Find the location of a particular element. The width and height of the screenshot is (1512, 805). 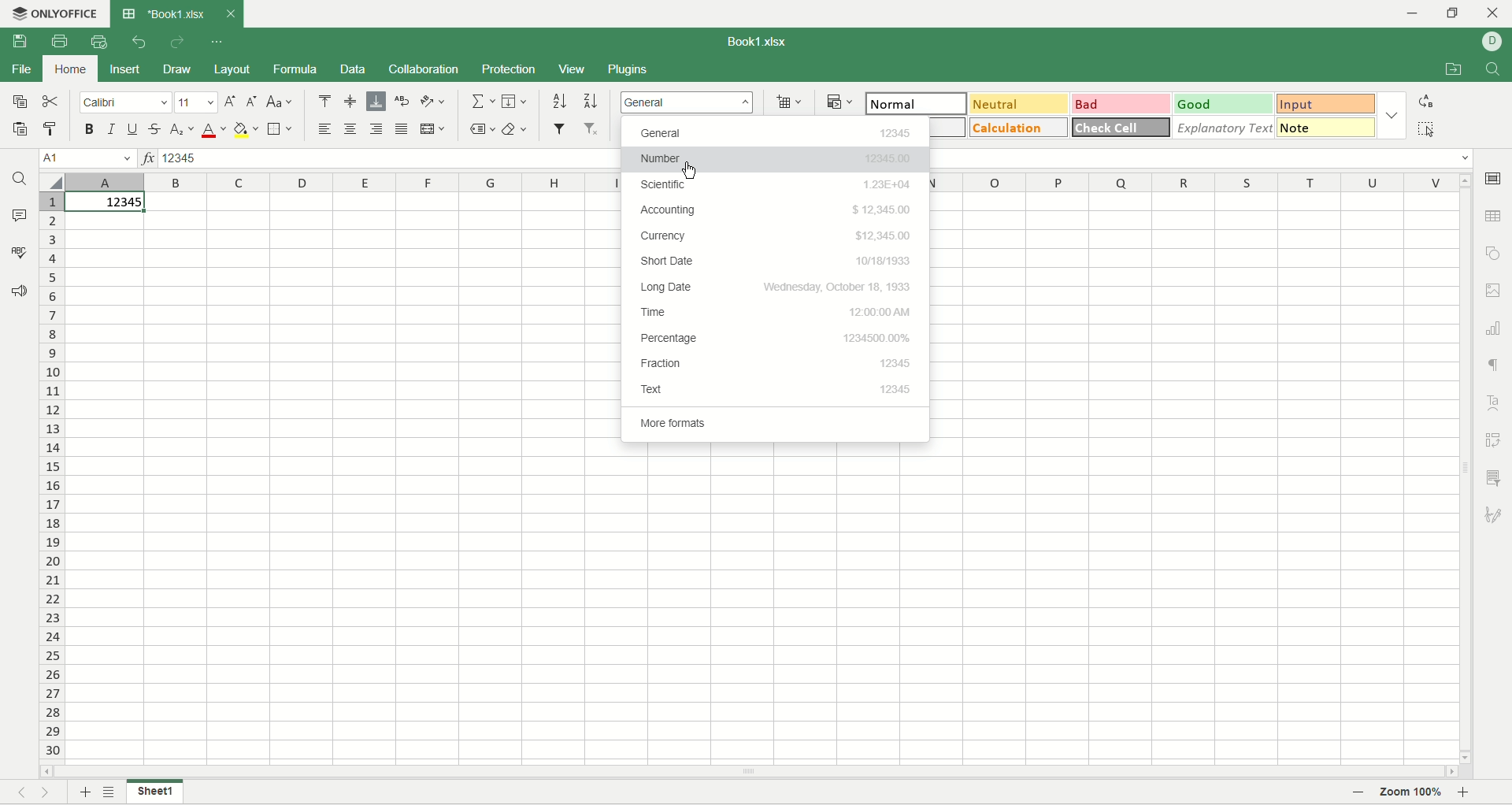

input is located at coordinates (1325, 102).